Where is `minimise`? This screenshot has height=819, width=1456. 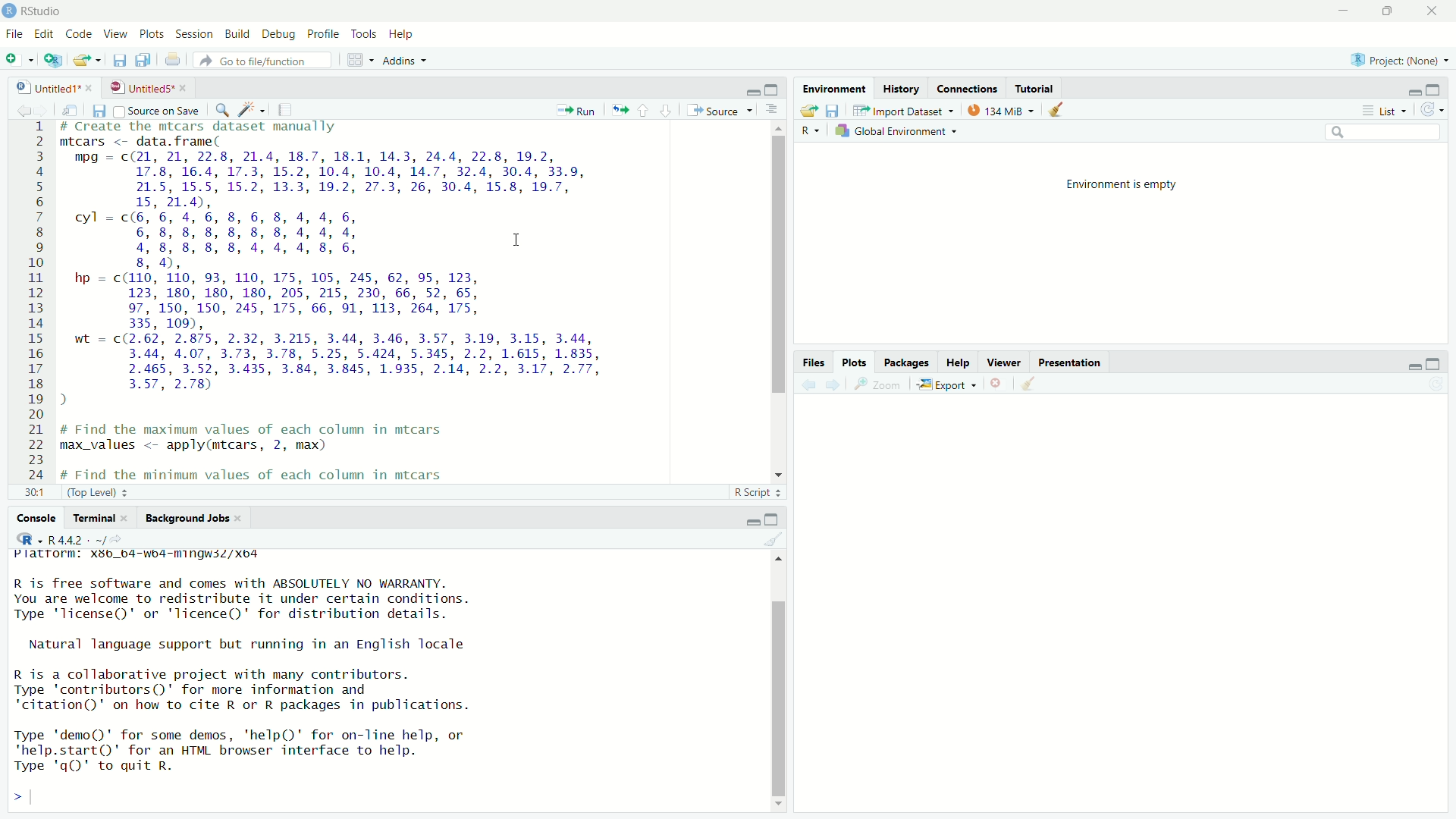
minimise is located at coordinates (1407, 365).